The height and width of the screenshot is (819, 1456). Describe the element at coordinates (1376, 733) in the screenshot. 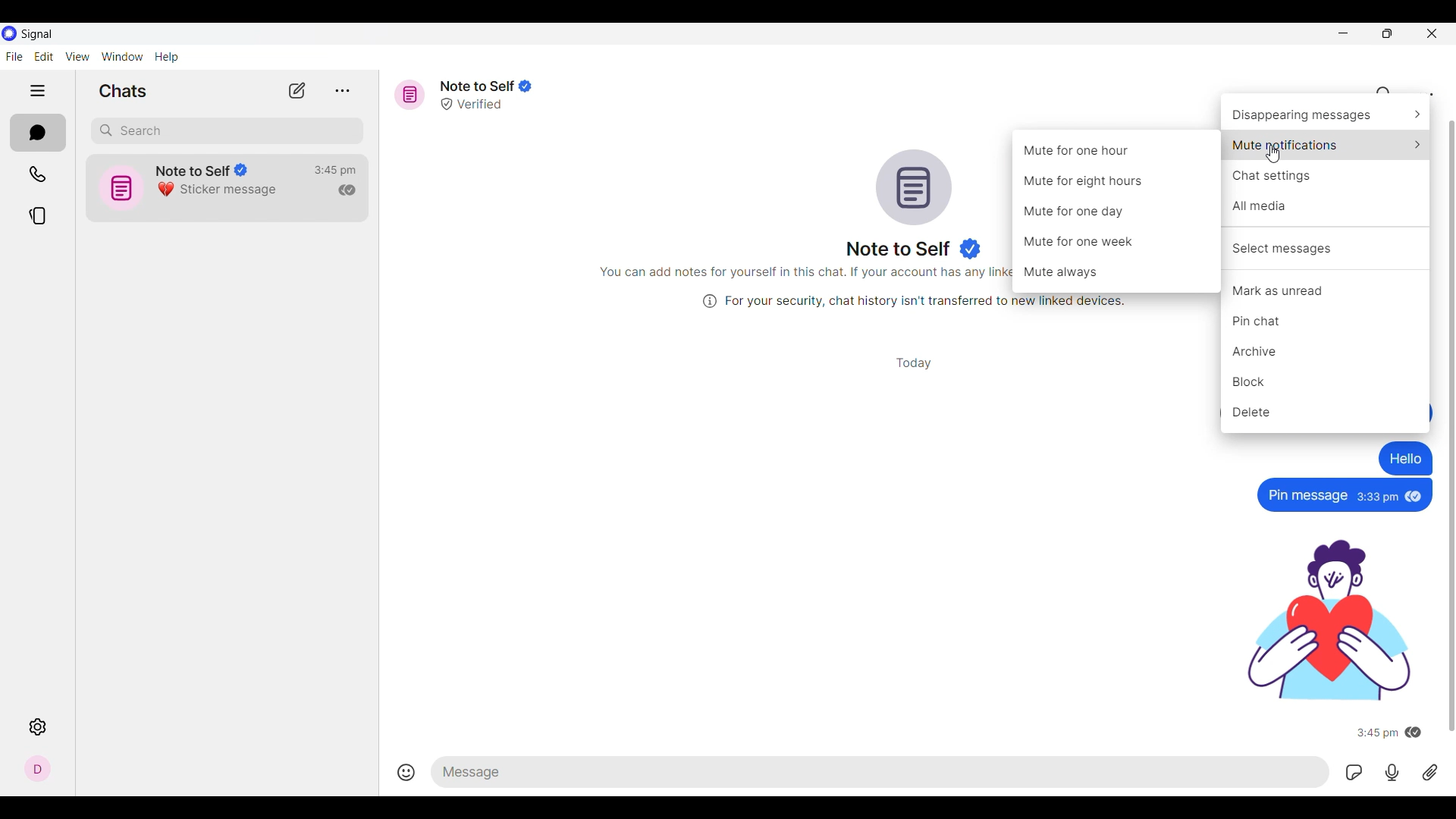

I see `3:45 pm` at that location.